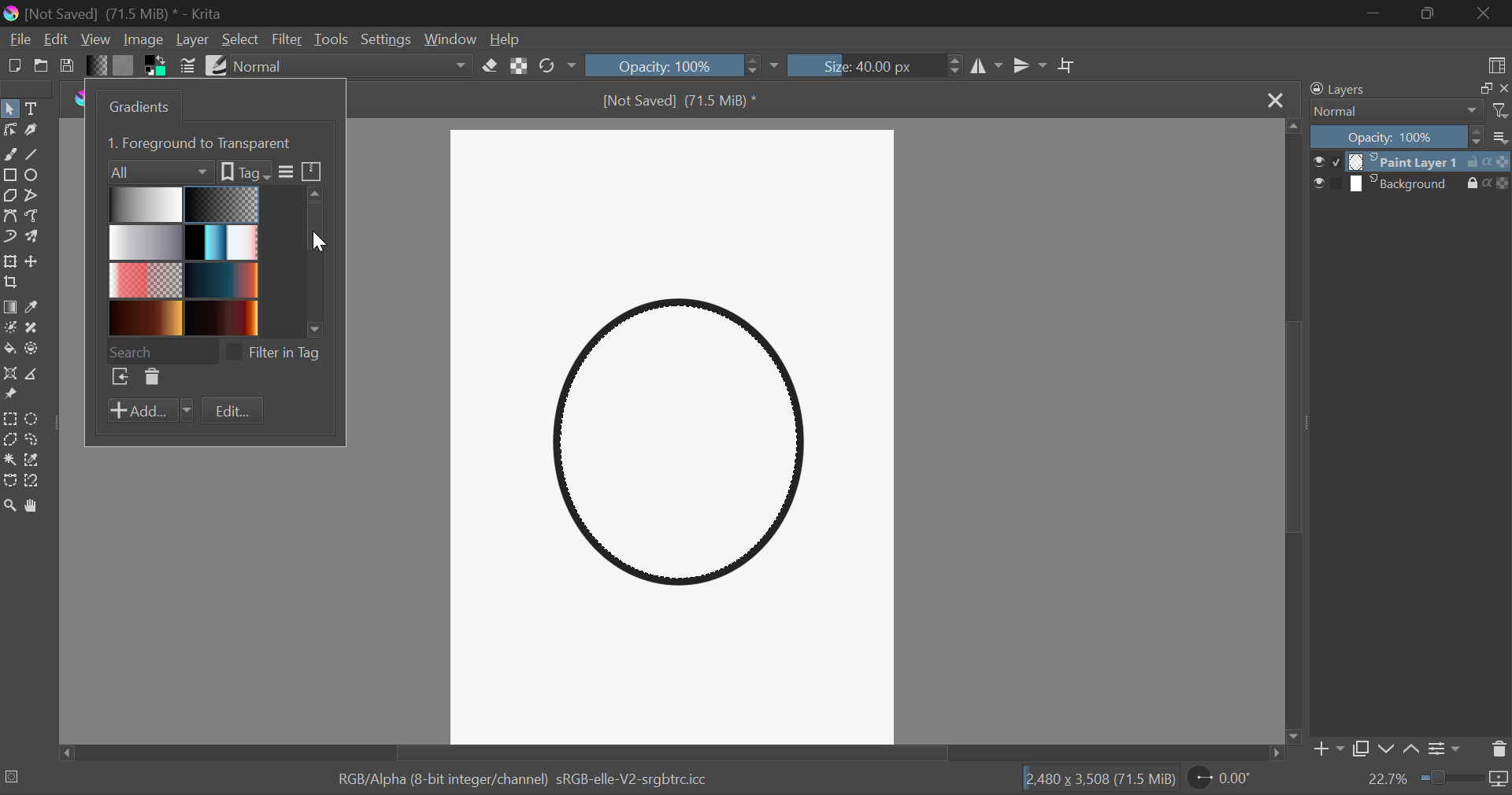  I want to click on Freehand Selection, so click(36, 438).